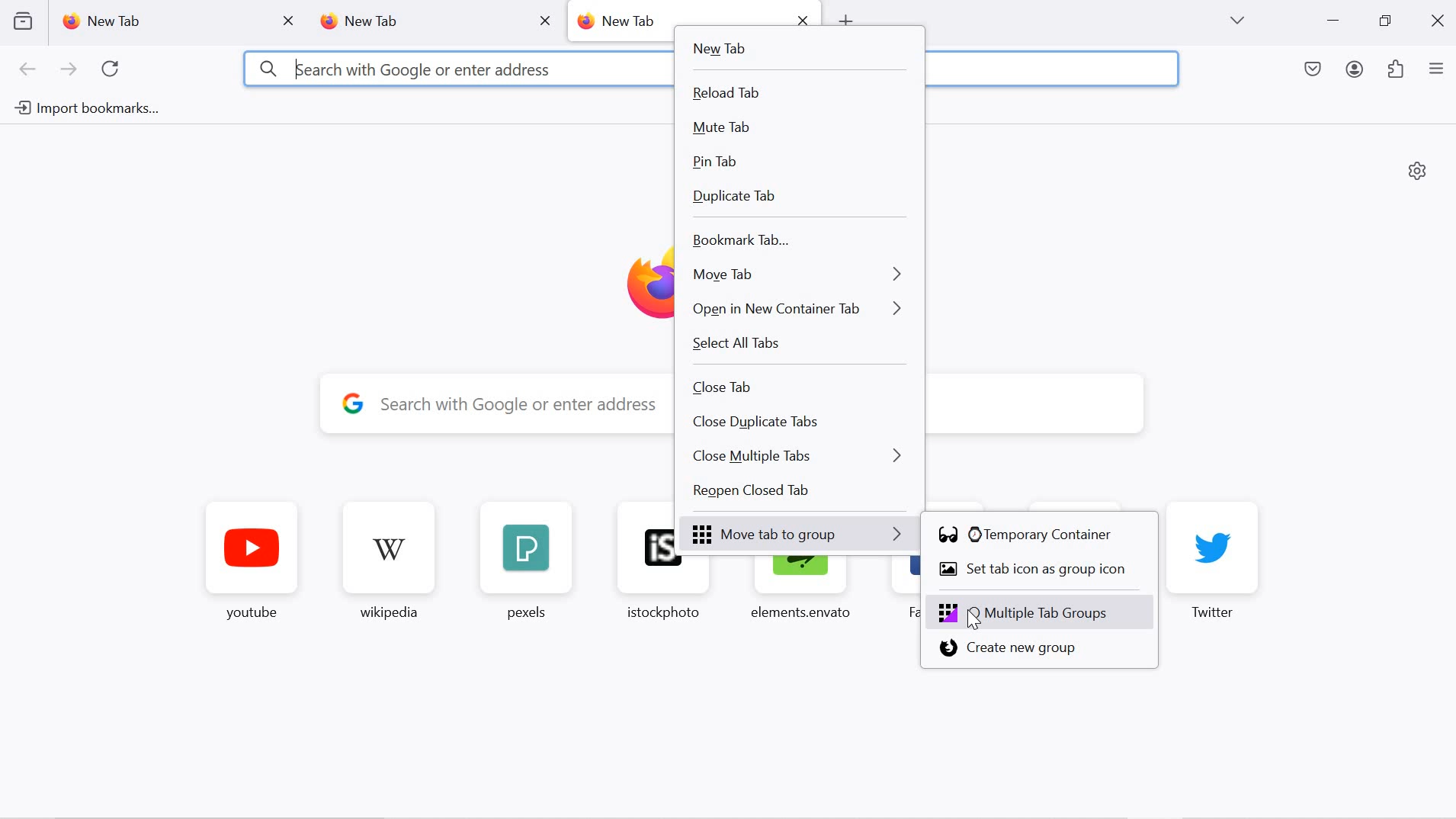  Describe the element at coordinates (518, 406) in the screenshot. I see `y Search with Google or enter address` at that location.